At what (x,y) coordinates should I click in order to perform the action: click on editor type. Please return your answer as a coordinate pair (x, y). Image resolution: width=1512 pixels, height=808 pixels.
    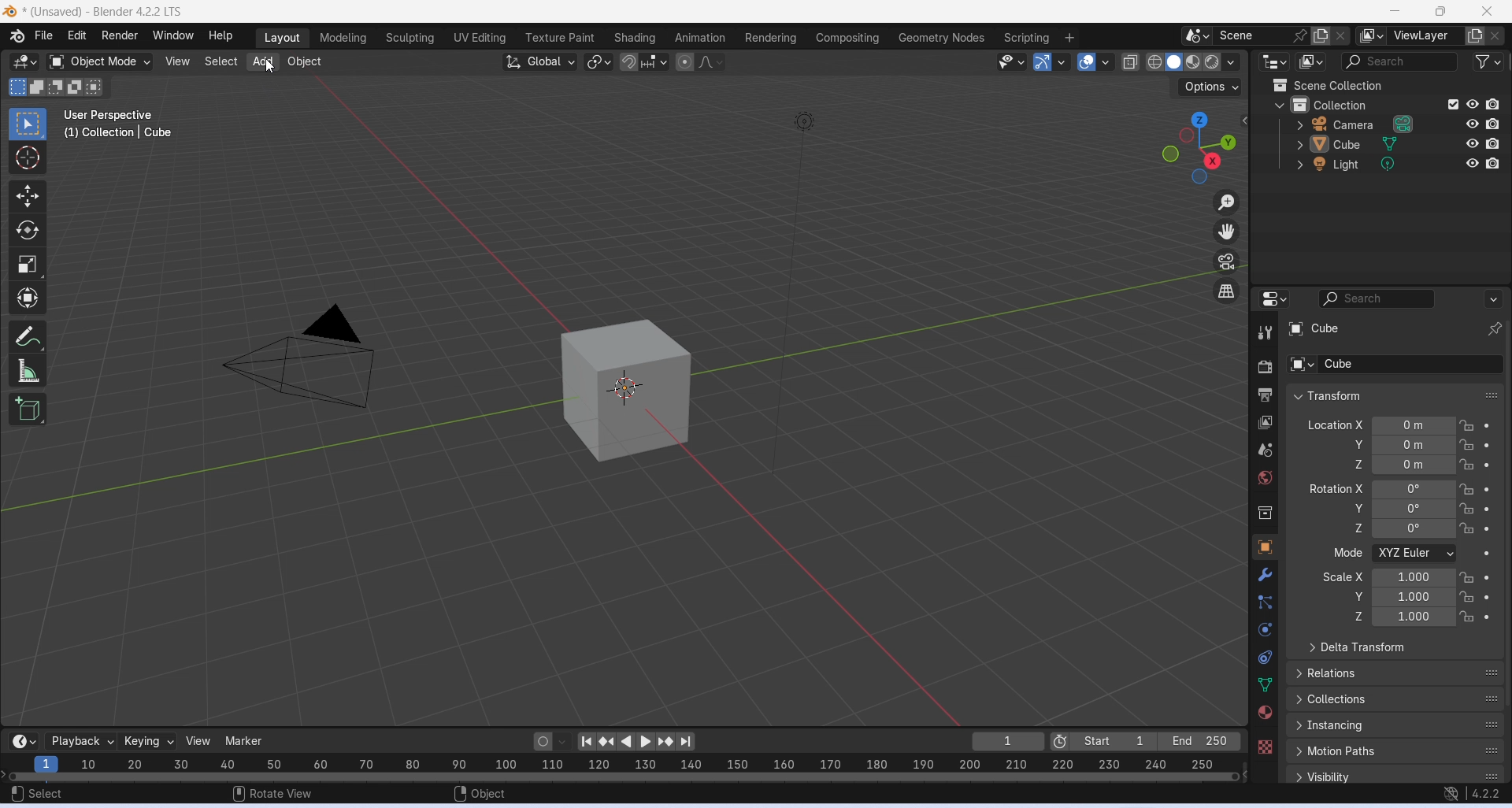
    Looking at the image, I should click on (24, 63).